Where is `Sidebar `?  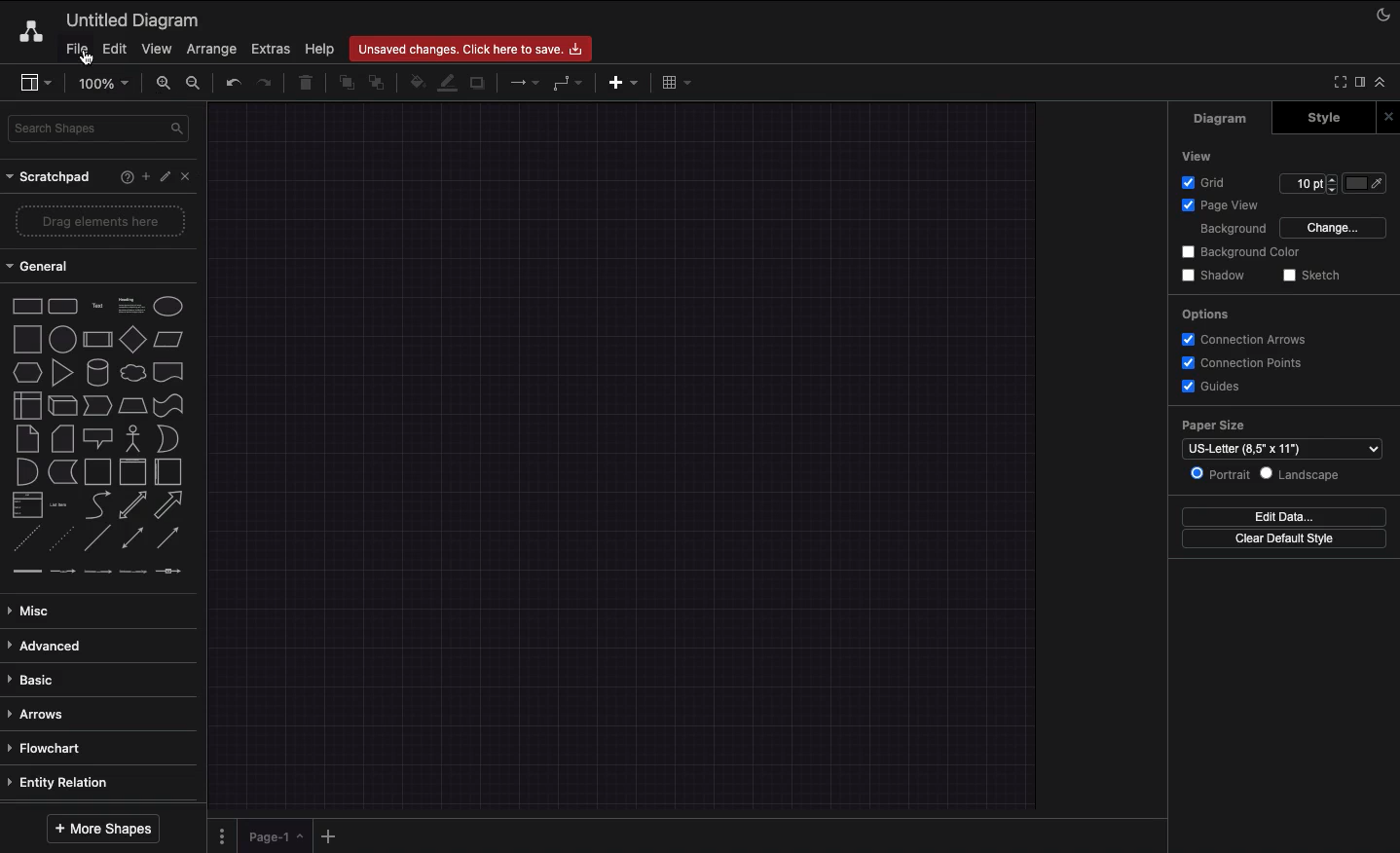
Sidebar  is located at coordinates (35, 84).